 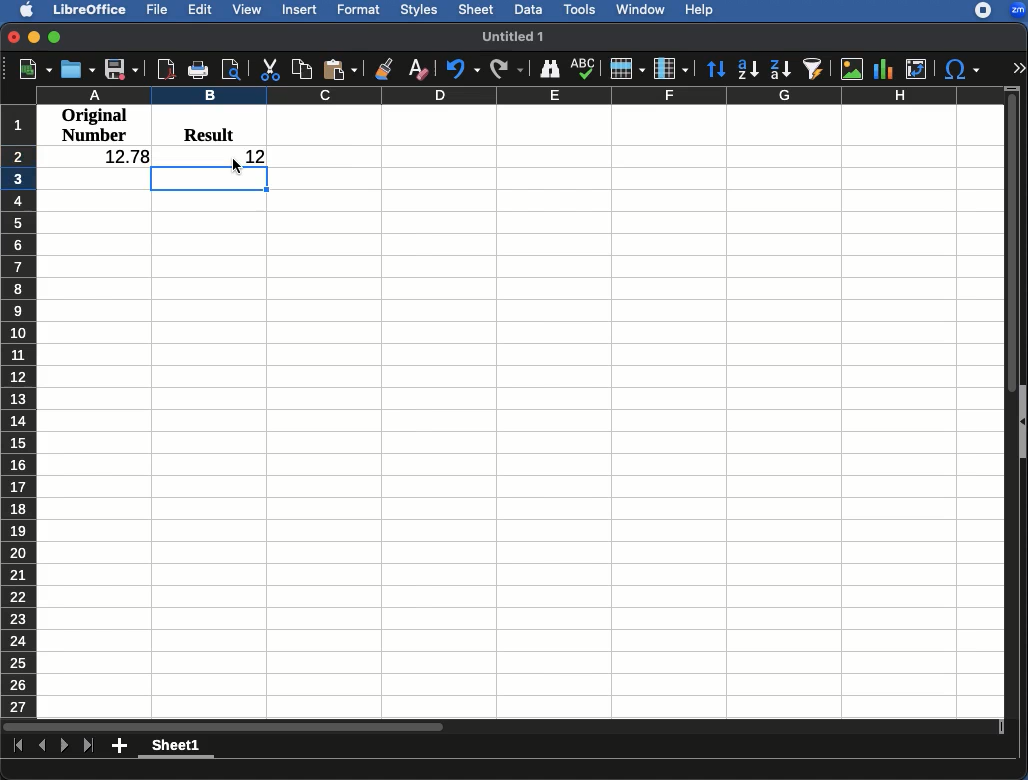 What do you see at coordinates (507, 70) in the screenshot?
I see `Redo` at bounding box center [507, 70].